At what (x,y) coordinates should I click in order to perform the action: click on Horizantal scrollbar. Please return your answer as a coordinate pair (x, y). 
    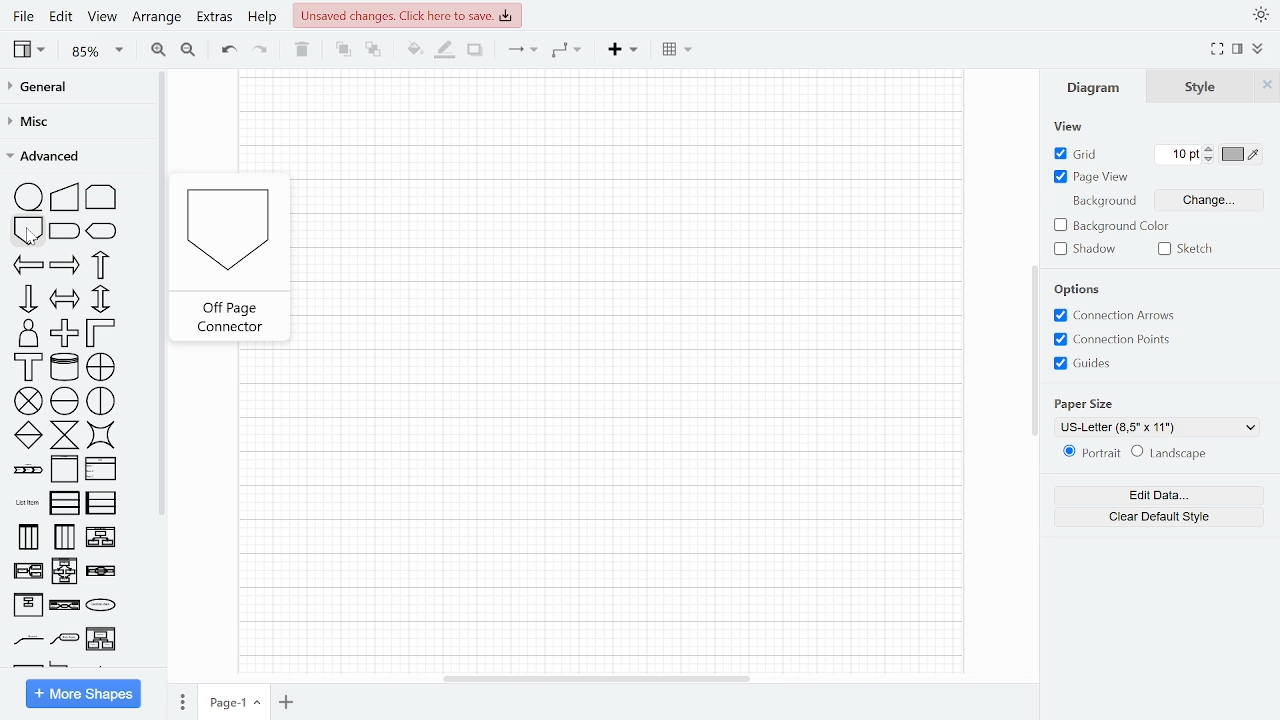
    Looking at the image, I should click on (594, 680).